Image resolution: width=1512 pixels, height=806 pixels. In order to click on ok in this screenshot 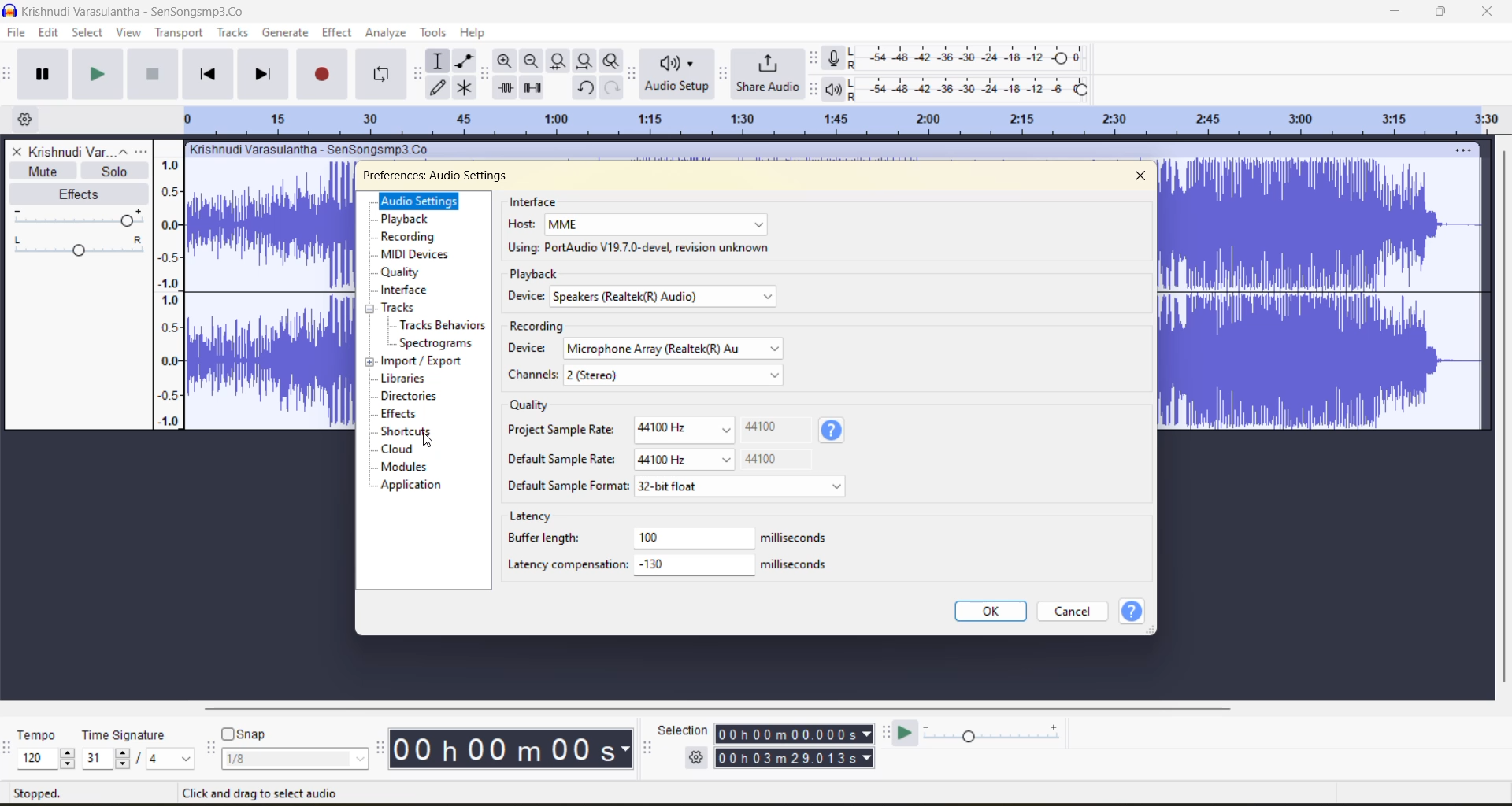, I will do `click(991, 610)`.